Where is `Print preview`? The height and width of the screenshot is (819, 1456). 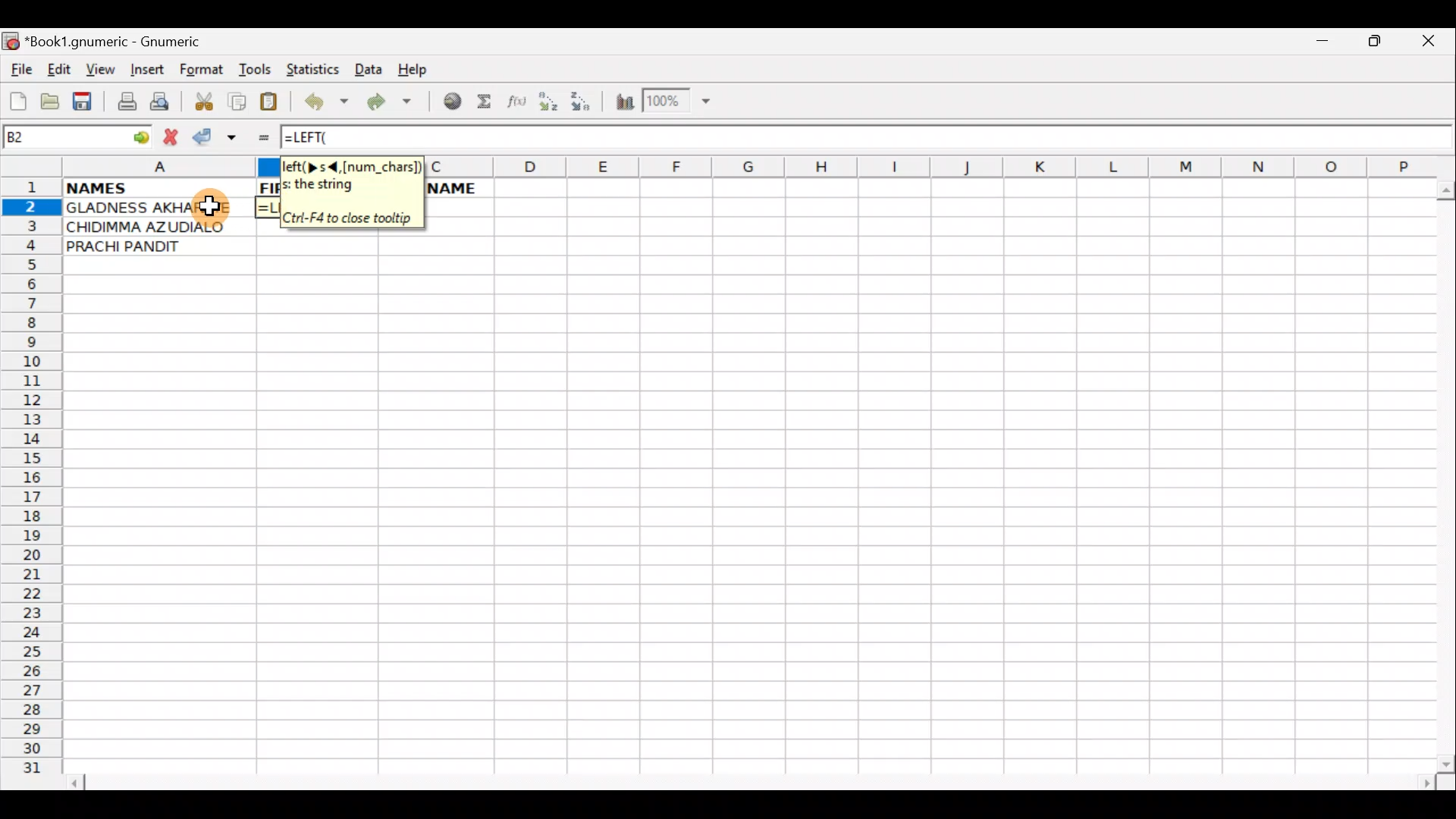
Print preview is located at coordinates (160, 105).